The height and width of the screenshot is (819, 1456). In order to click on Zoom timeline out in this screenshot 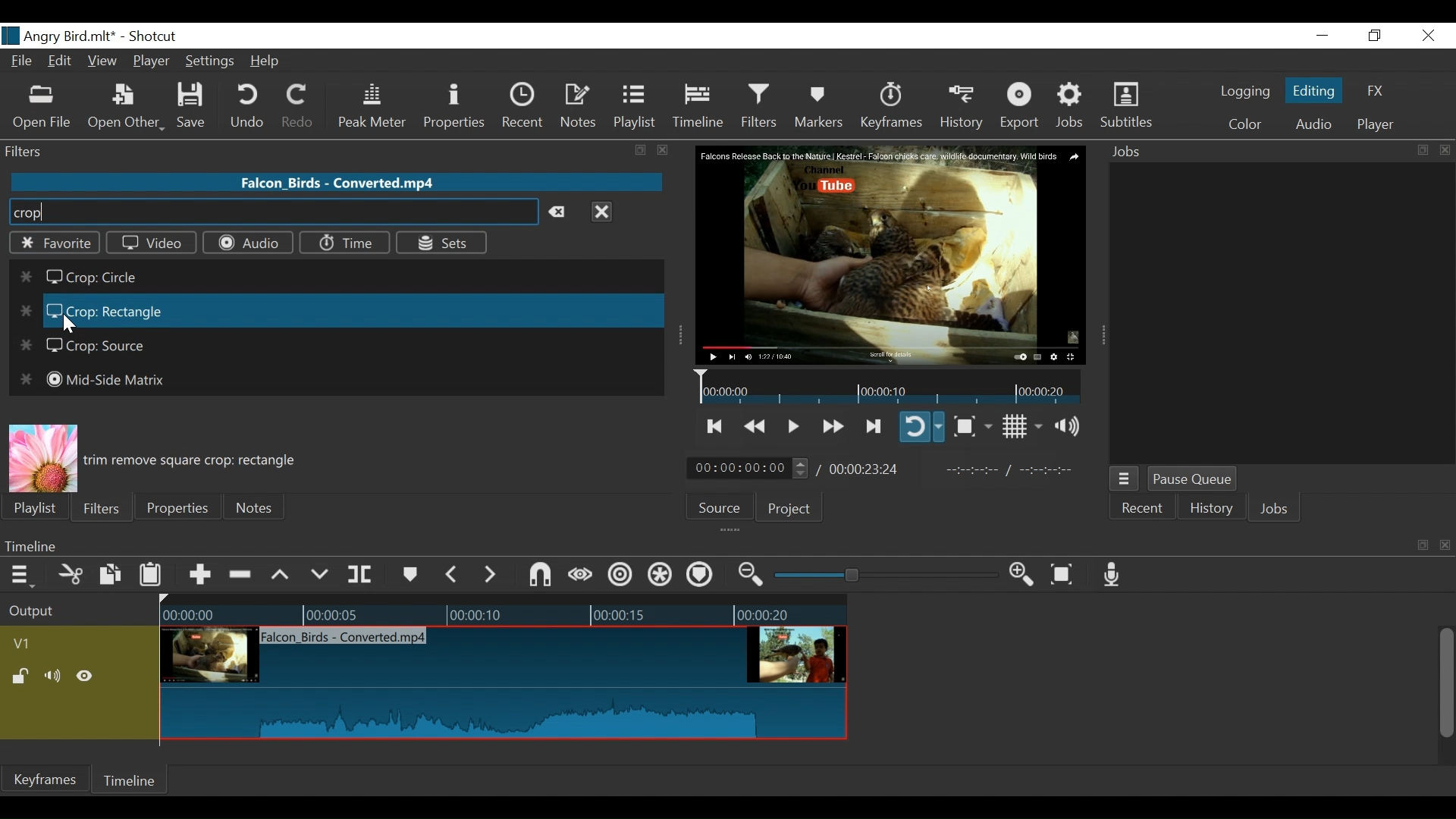, I will do `click(753, 575)`.